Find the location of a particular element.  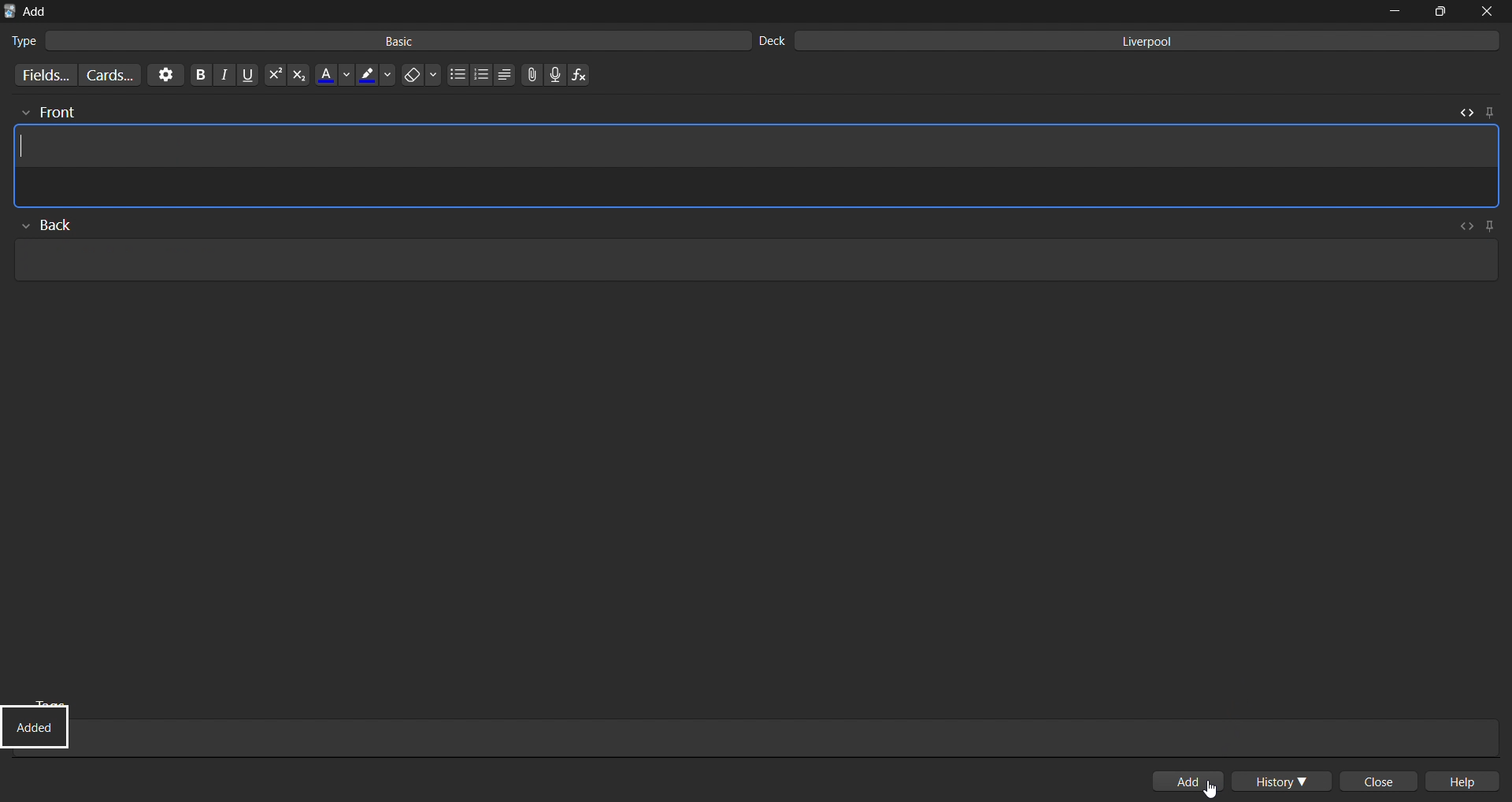

options is located at coordinates (164, 75).